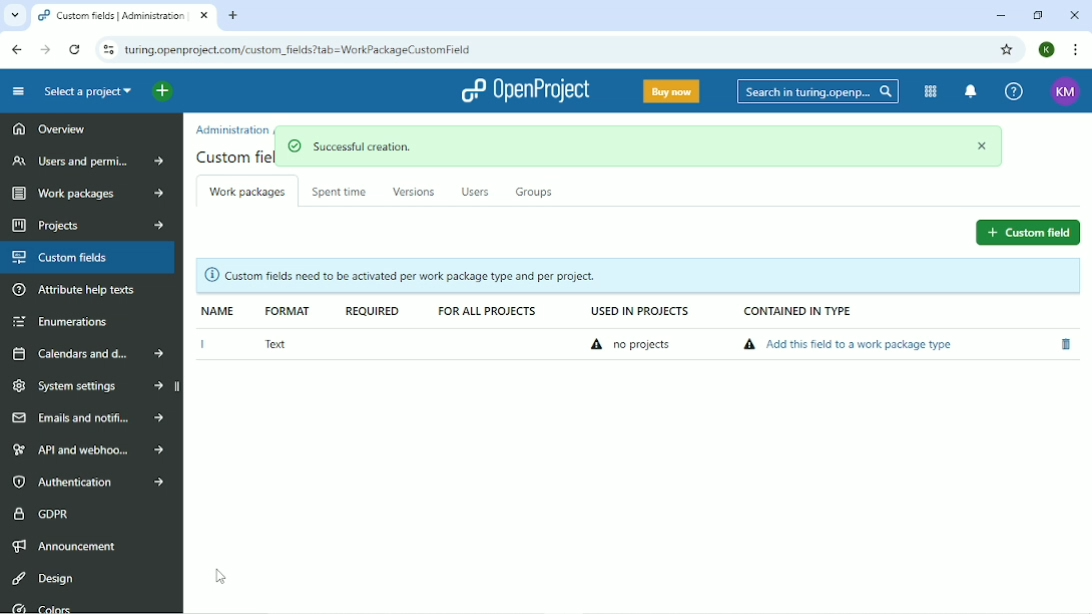  Describe the element at coordinates (247, 190) in the screenshot. I see `Work packages` at that location.